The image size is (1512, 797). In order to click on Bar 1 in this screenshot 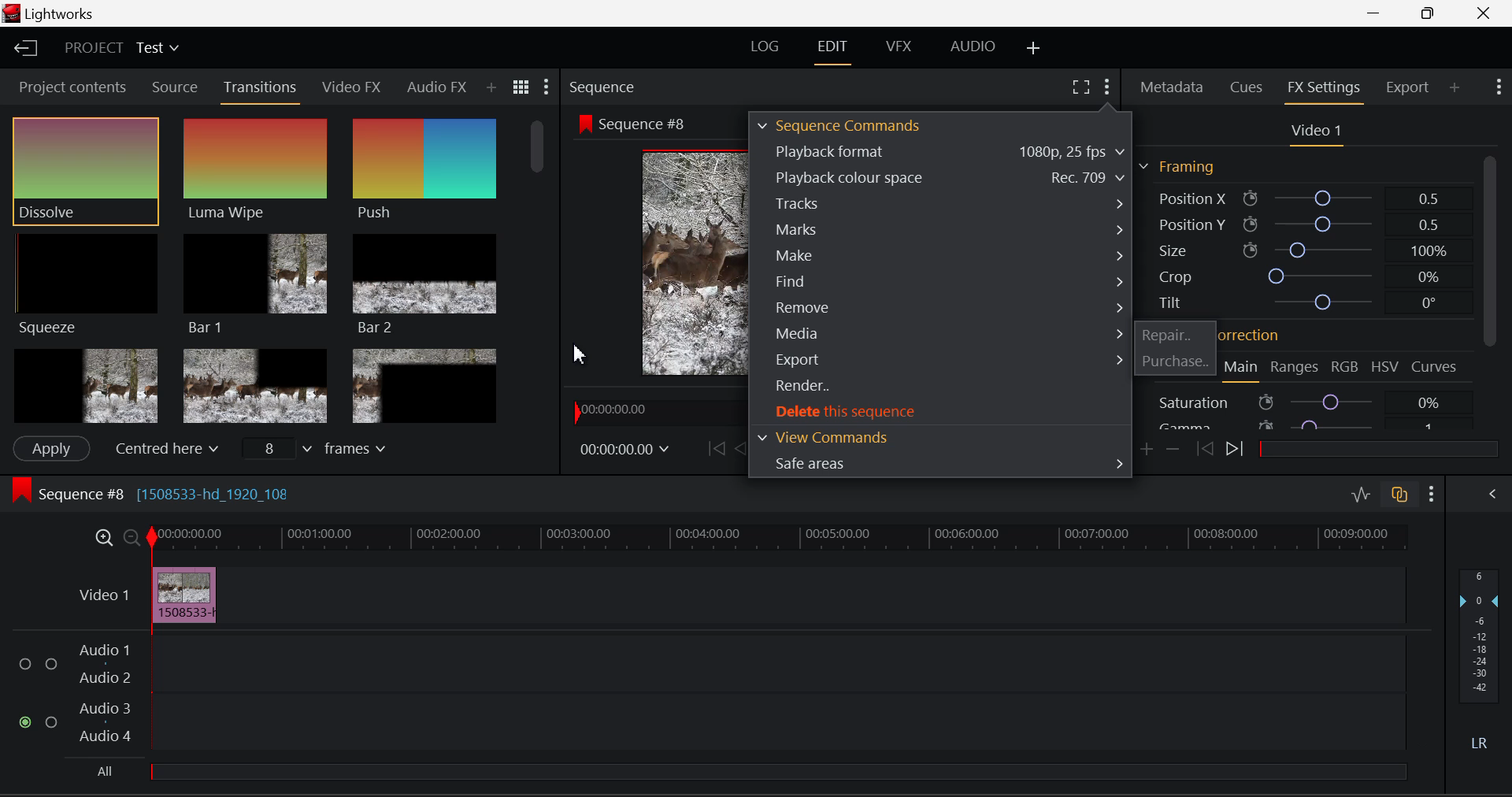, I will do `click(255, 281)`.